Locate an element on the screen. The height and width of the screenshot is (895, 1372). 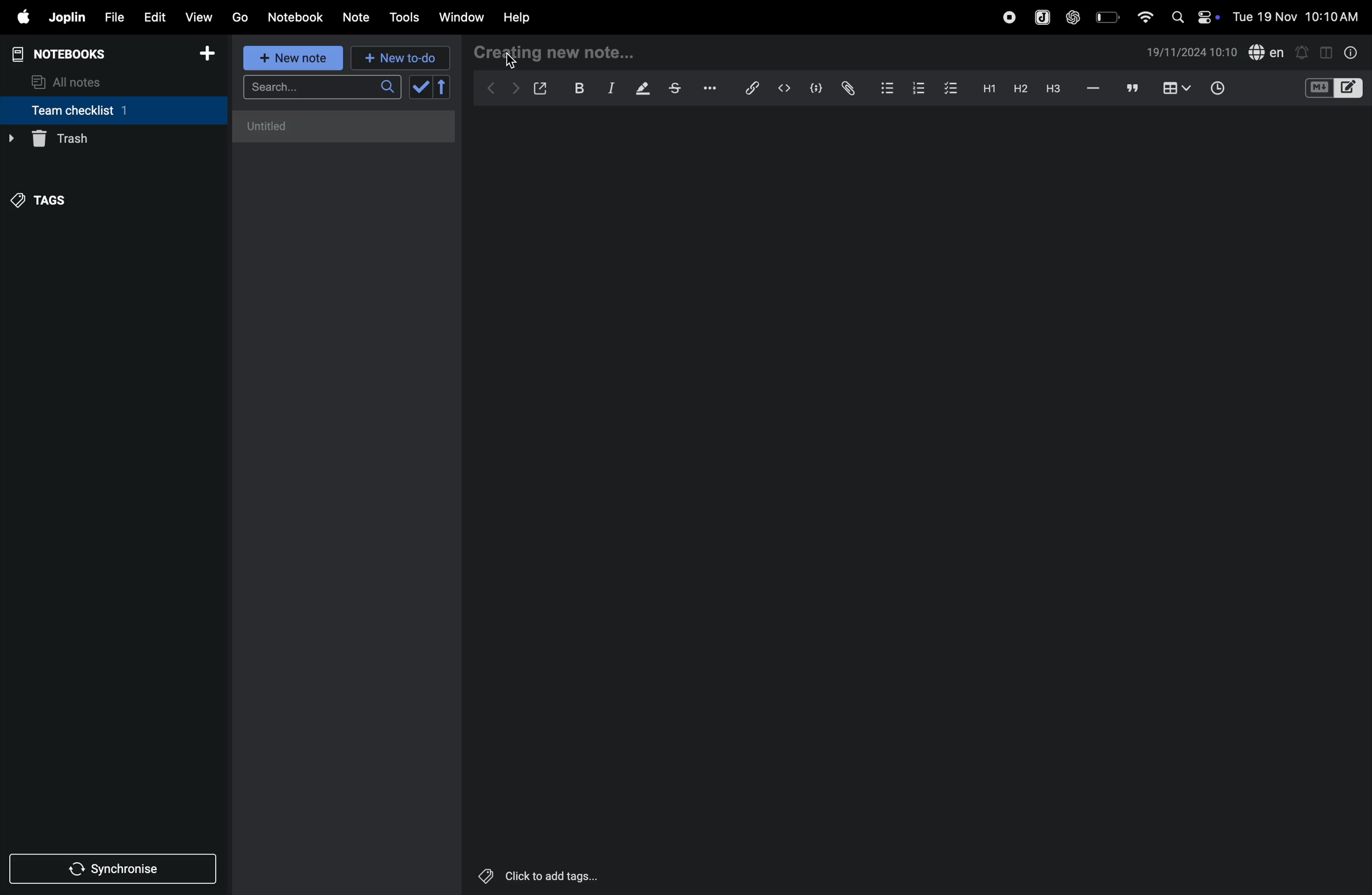
apple menu is located at coordinates (22, 18).